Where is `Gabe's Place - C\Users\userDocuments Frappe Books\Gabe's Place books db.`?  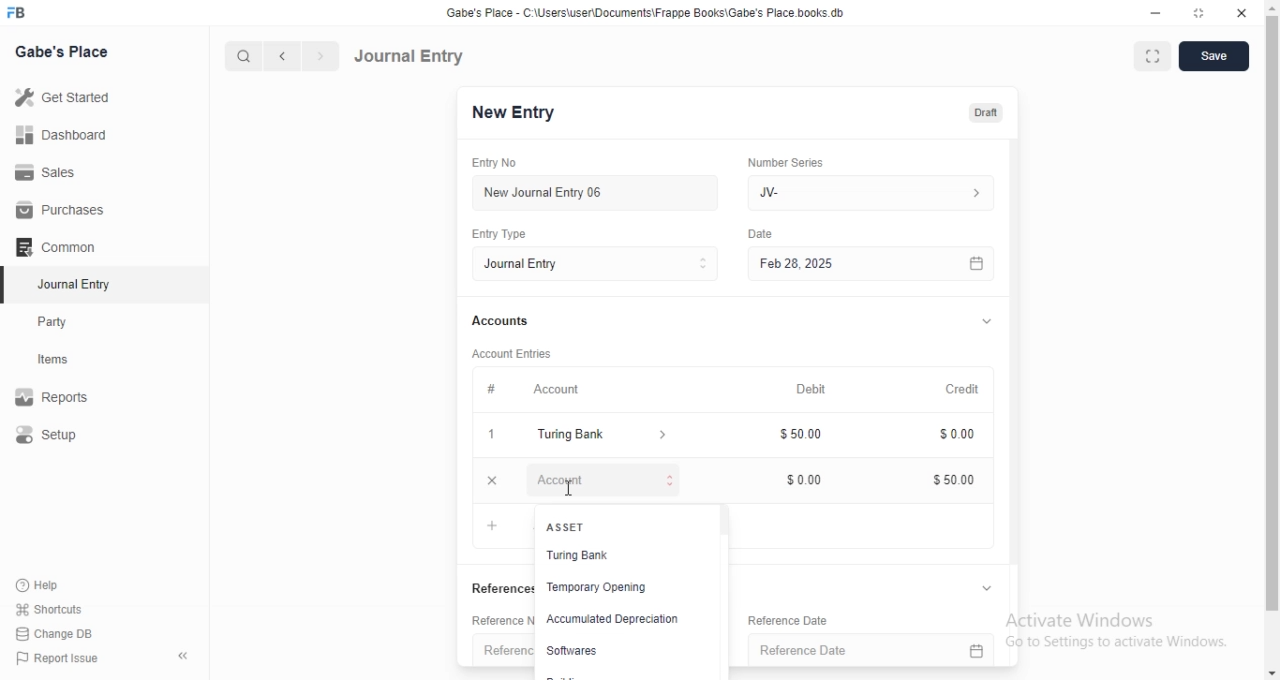
Gabe's Place - C\Users\userDocuments Frappe Books\Gabe's Place books db. is located at coordinates (654, 13).